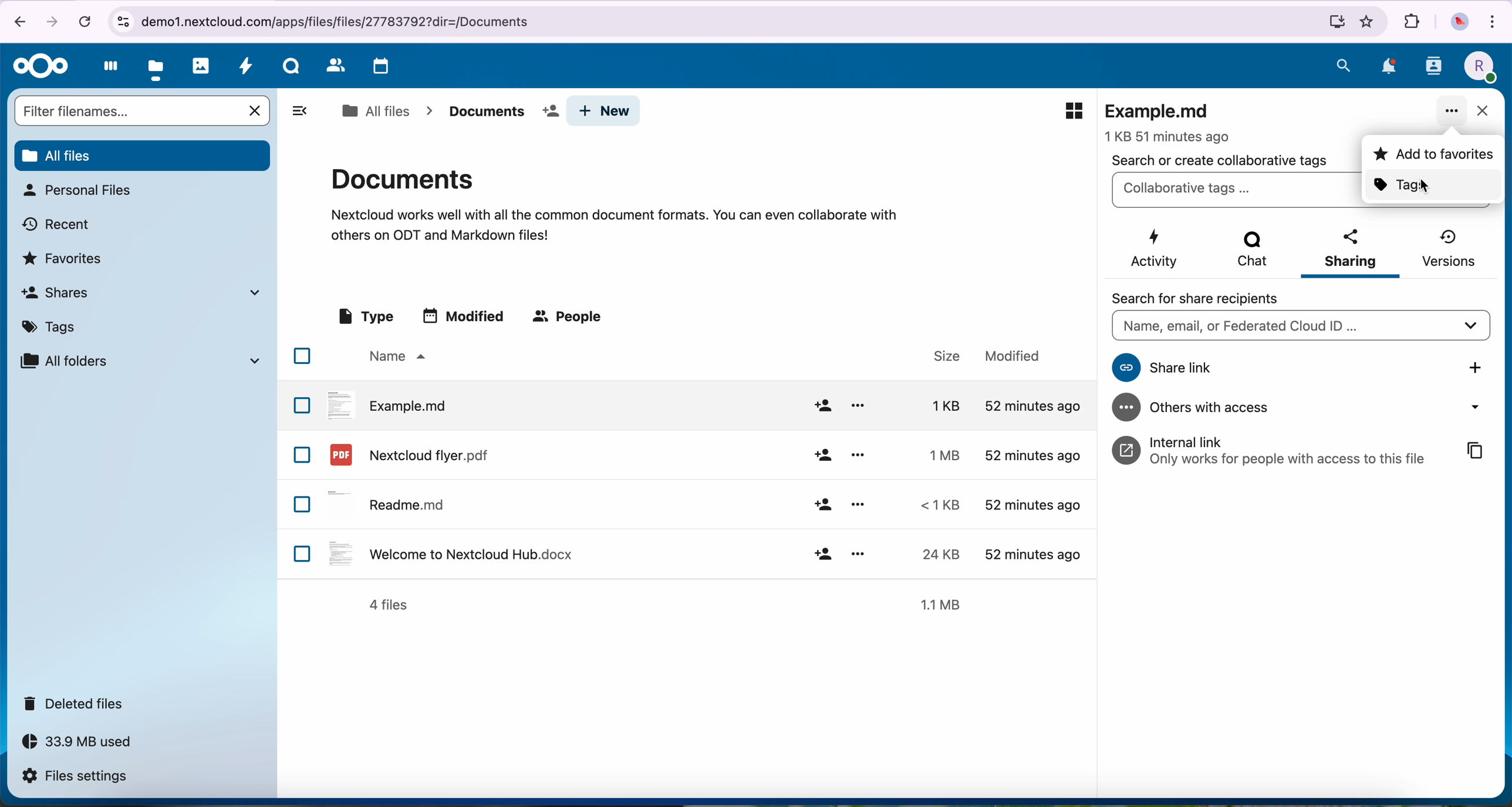 This screenshot has width=1512, height=807. Describe the element at coordinates (146, 292) in the screenshot. I see `shares tab` at that location.